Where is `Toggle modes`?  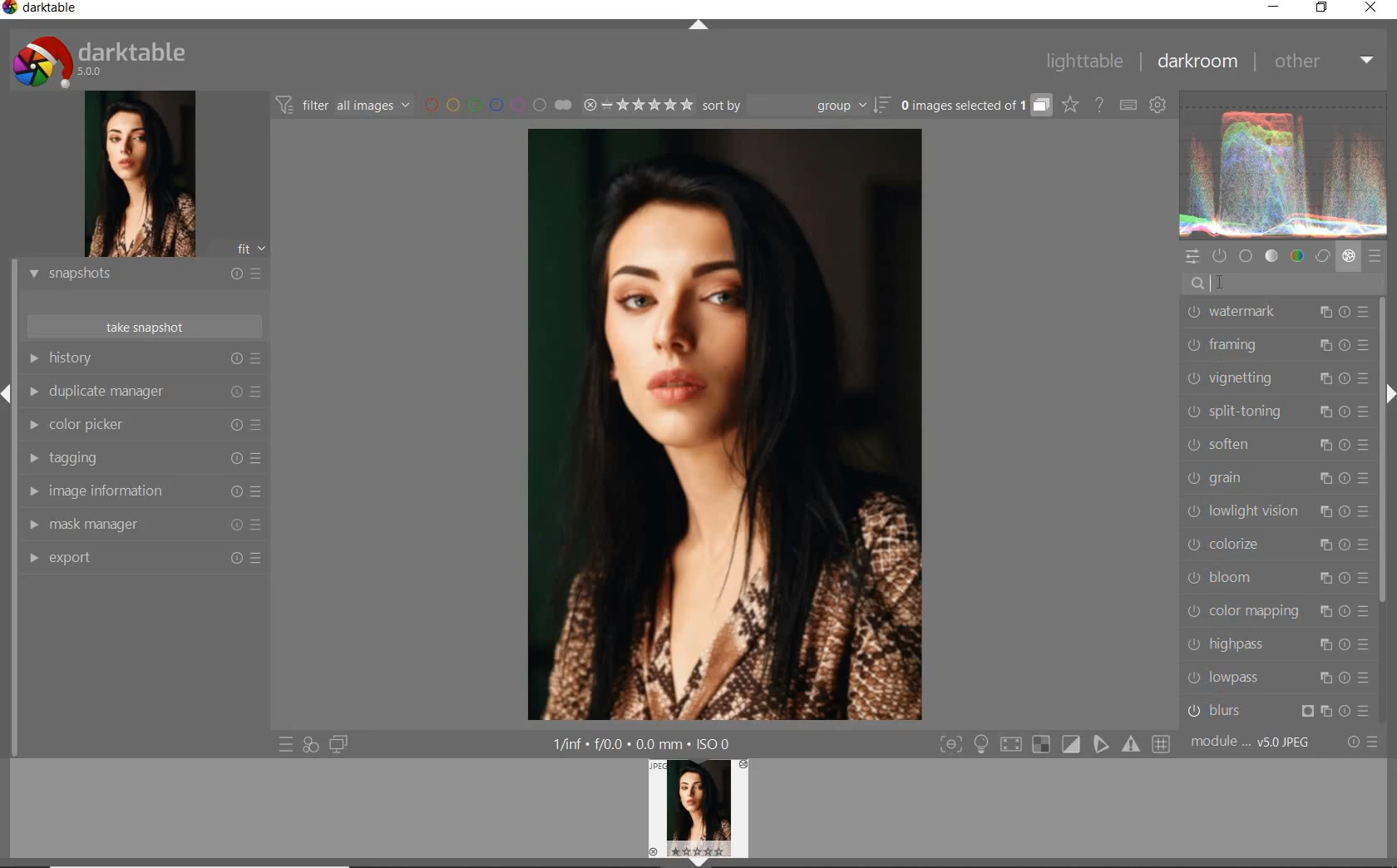 Toggle modes is located at coordinates (1054, 744).